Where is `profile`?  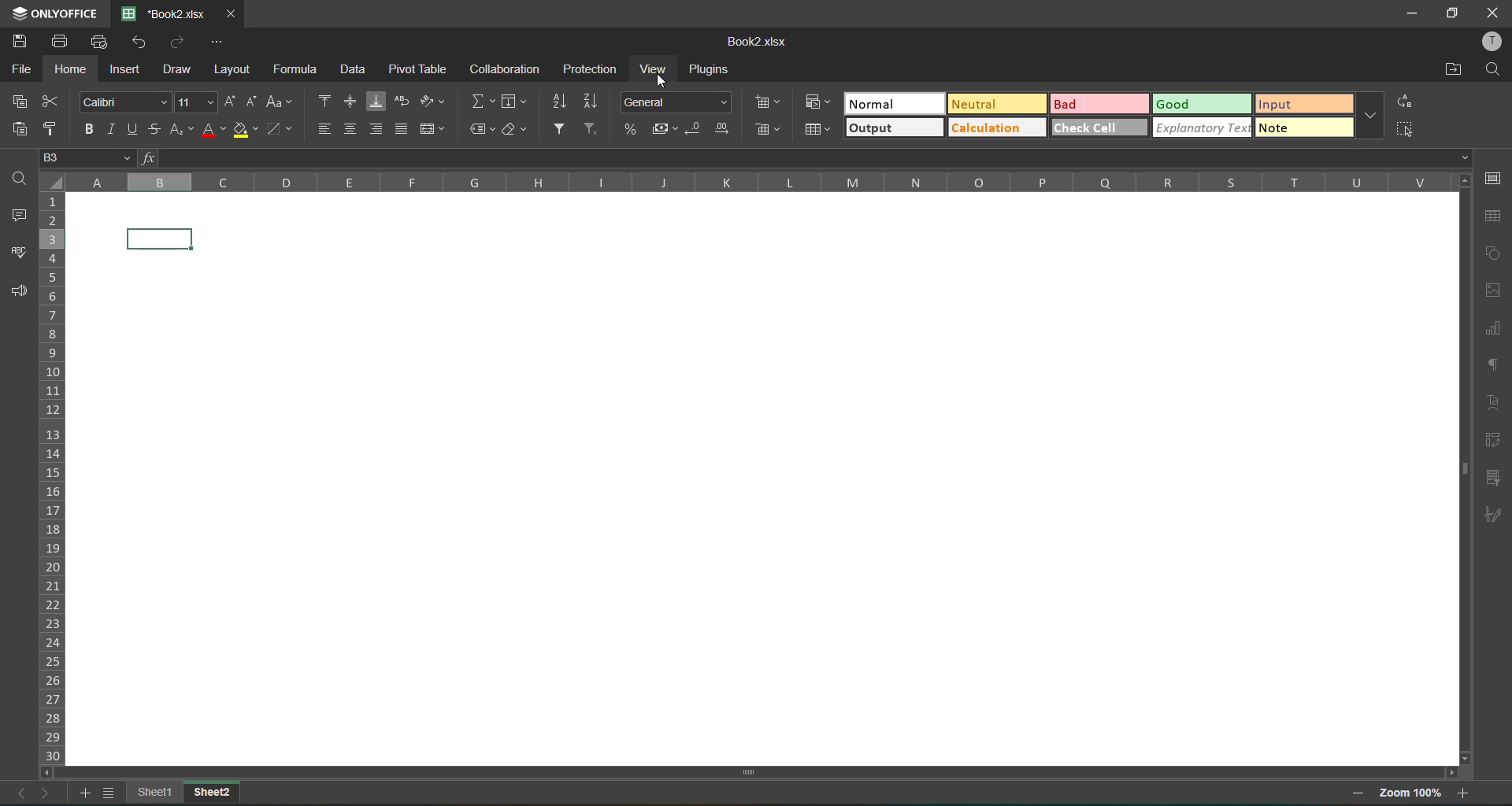 profile is located at coordinates (1493, 42).